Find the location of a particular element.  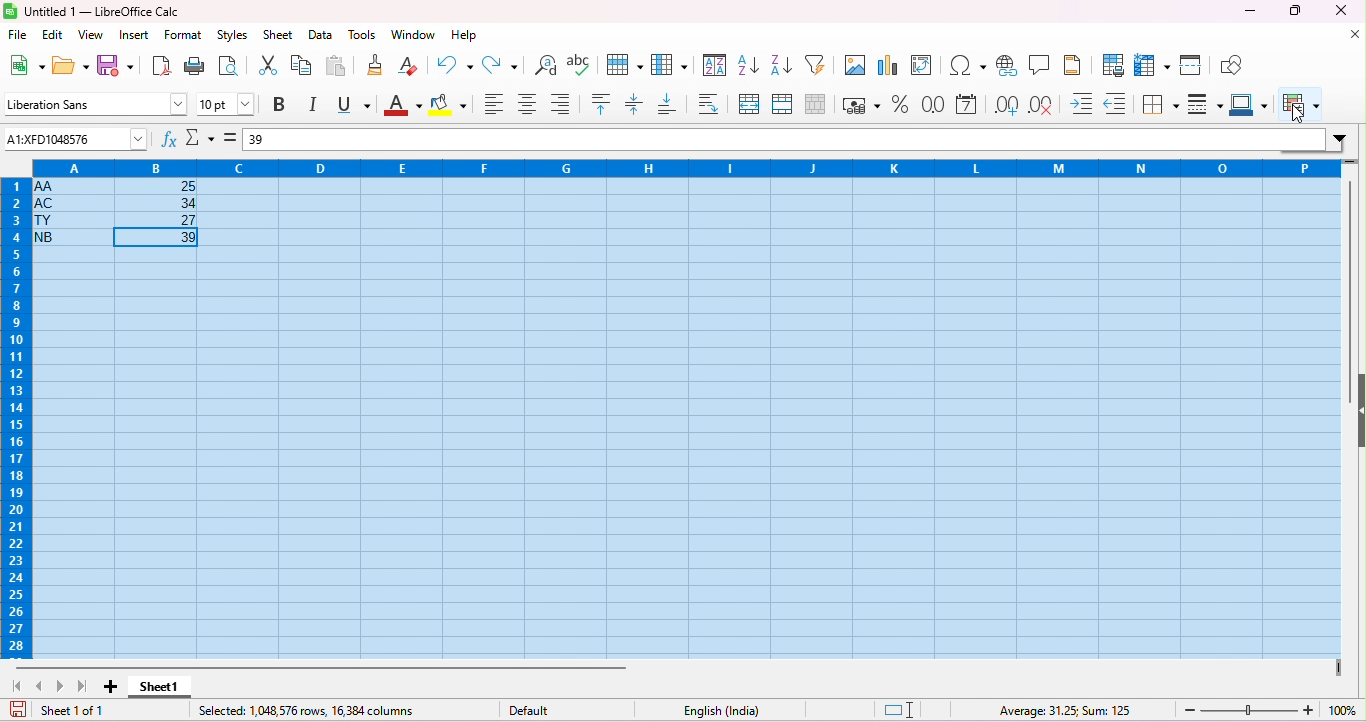

close is located at coordinates (1341, 10).